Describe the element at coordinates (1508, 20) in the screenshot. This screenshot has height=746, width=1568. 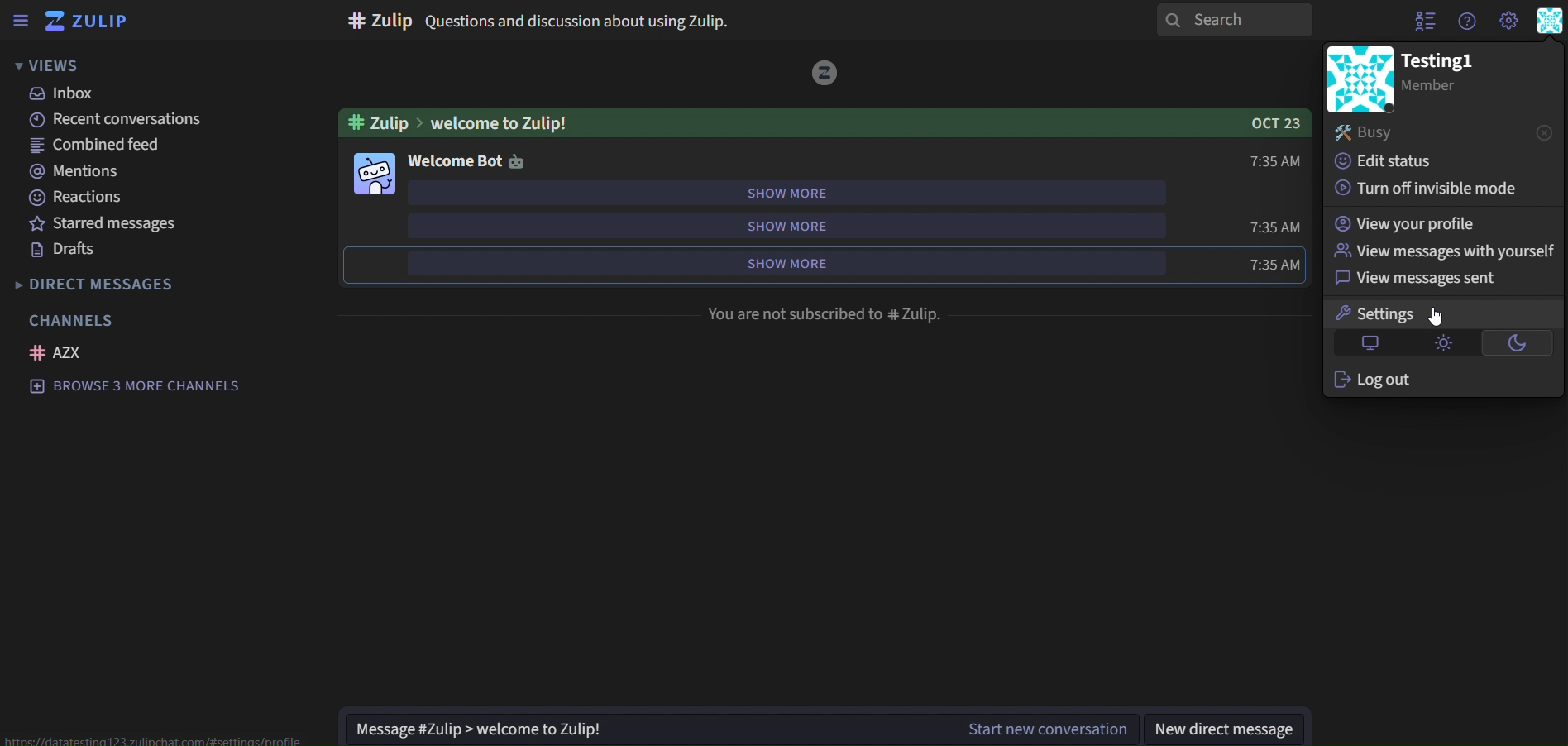
I see `setting` at that location.